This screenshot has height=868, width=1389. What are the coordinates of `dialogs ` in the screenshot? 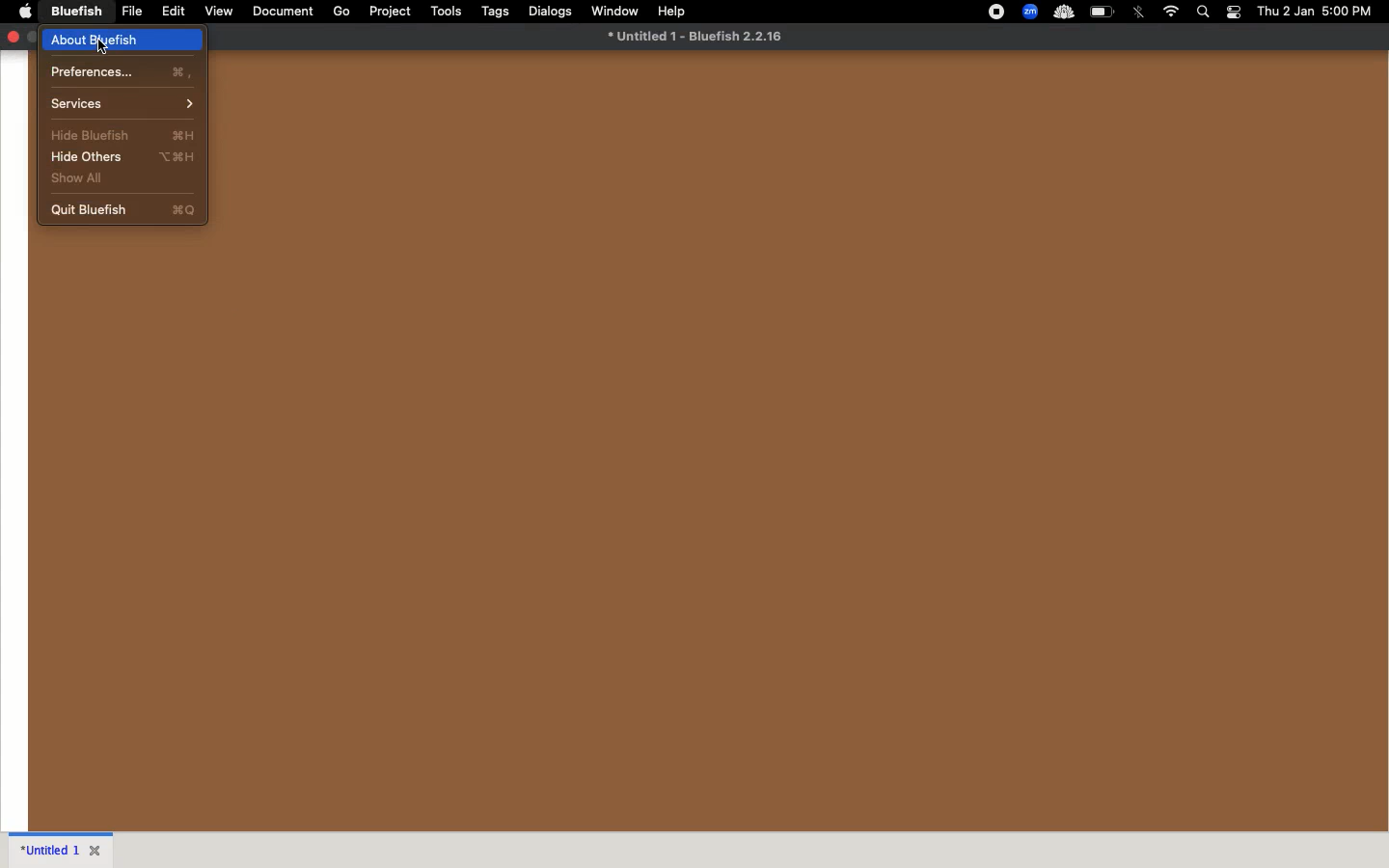 It's located at (550, 10).